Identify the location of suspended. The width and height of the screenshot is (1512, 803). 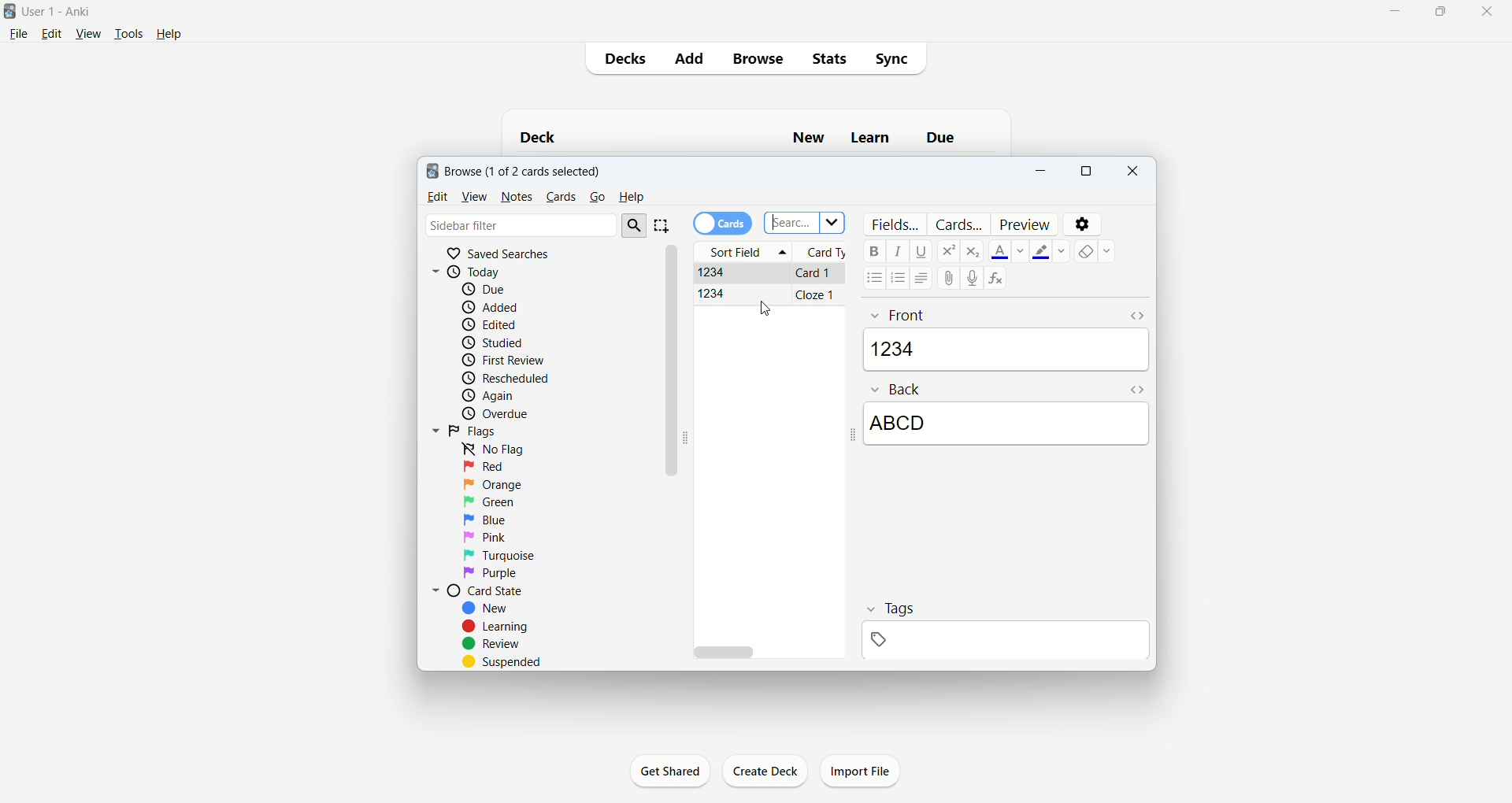
(504, 661).